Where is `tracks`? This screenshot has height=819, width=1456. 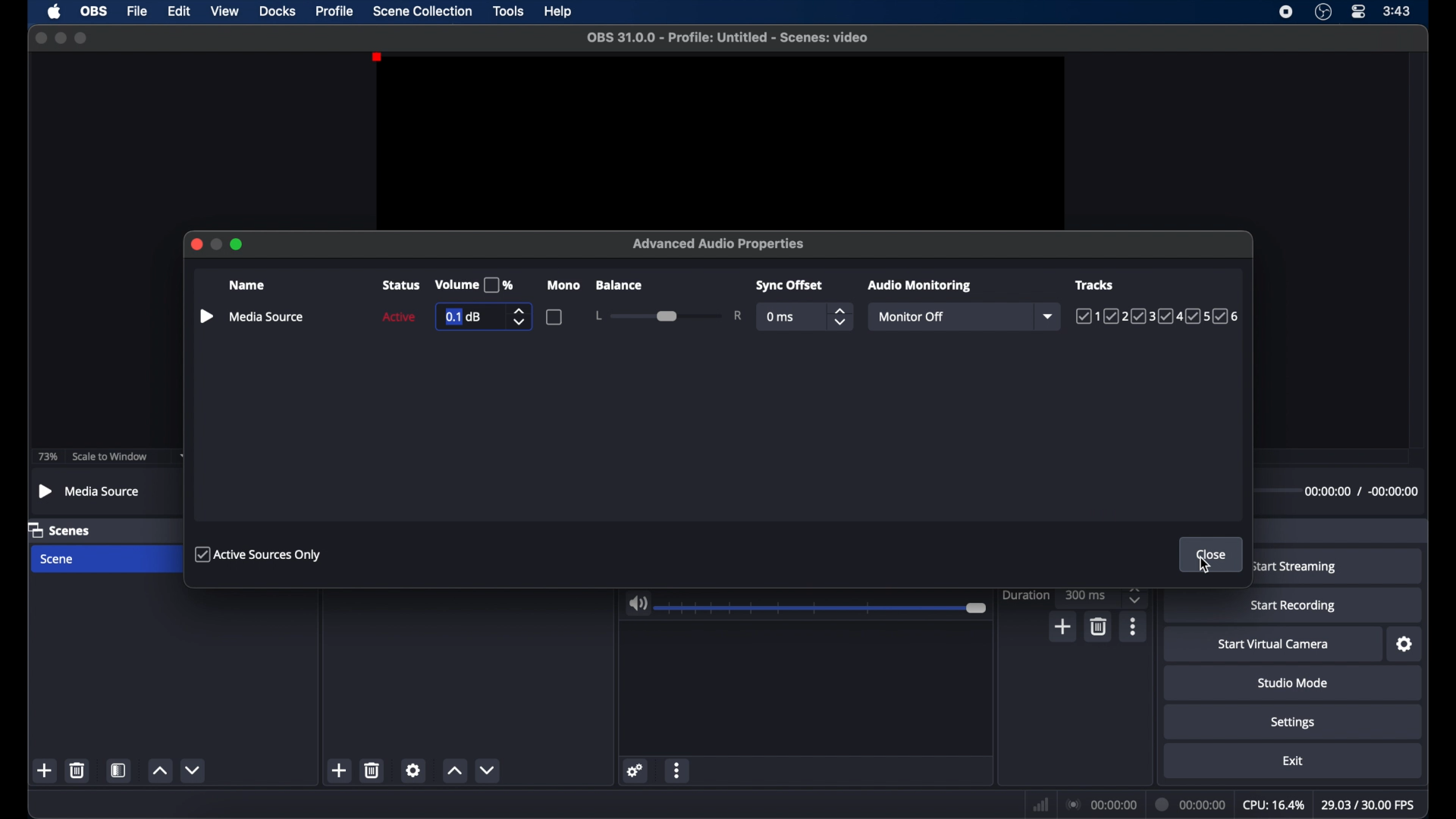 tracks is located at coordinates (1095, 285).